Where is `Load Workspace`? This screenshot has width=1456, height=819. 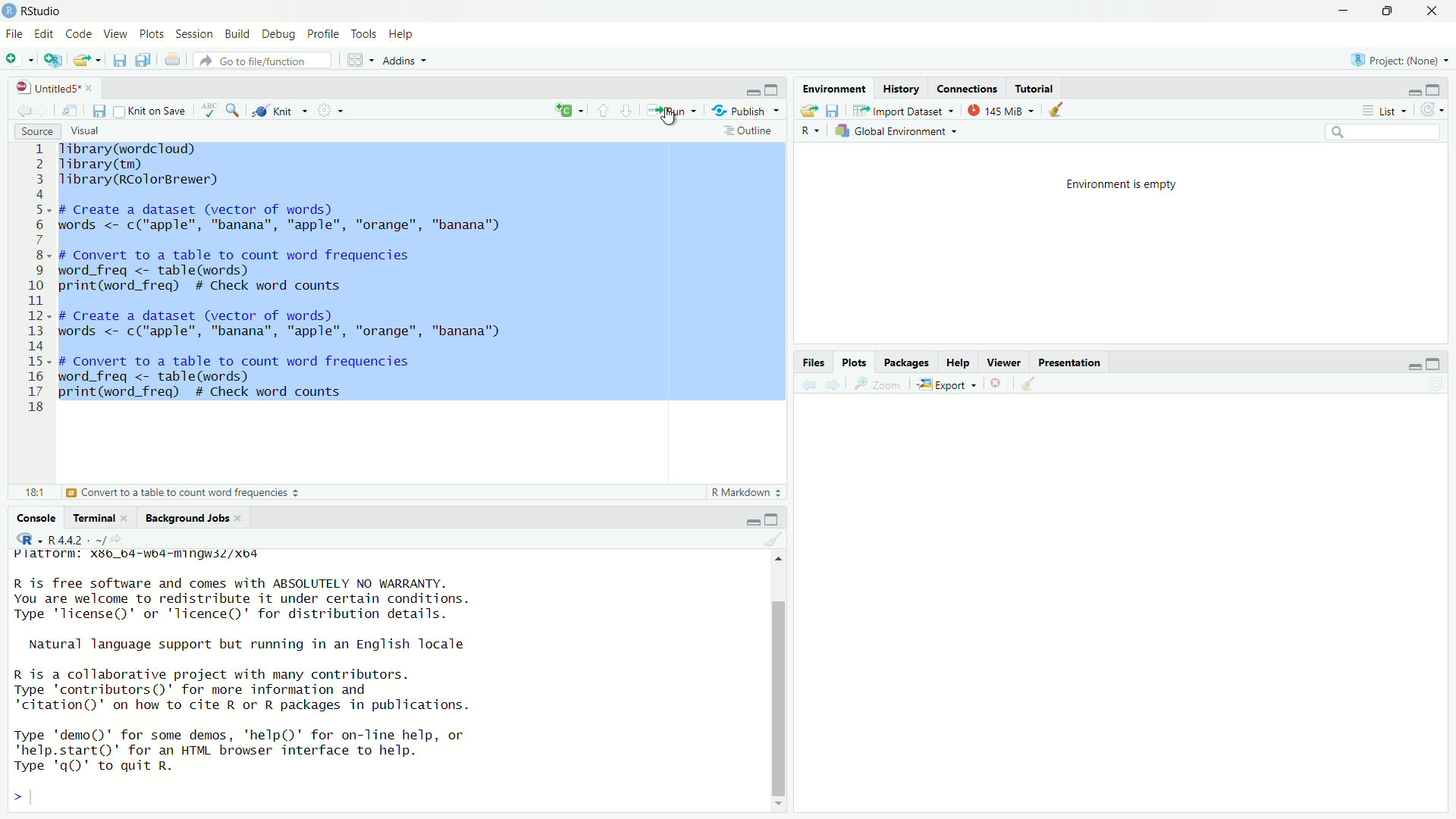
Load Workspace is located at coordinates (810, 111).